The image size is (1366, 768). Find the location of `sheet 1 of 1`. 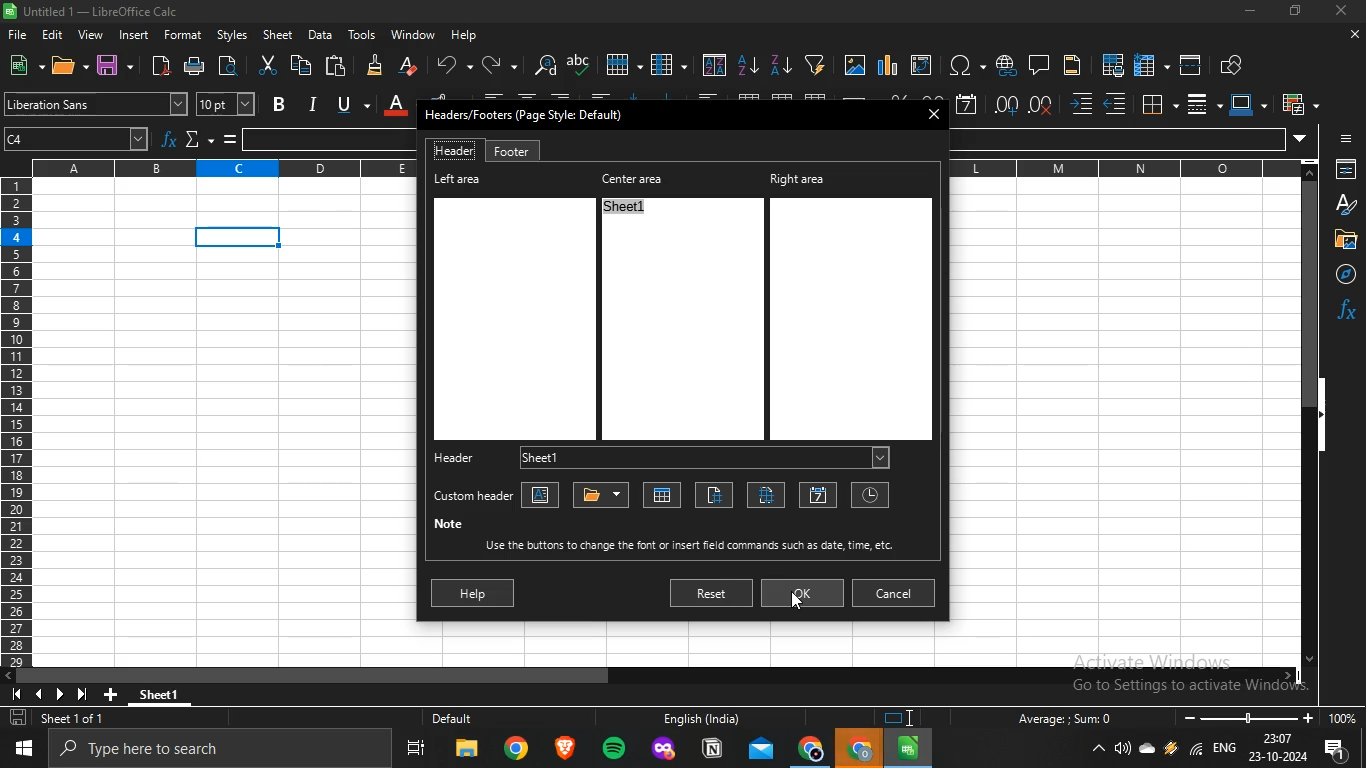

sheet 1 of 1 is located at coordinates (61, 719).